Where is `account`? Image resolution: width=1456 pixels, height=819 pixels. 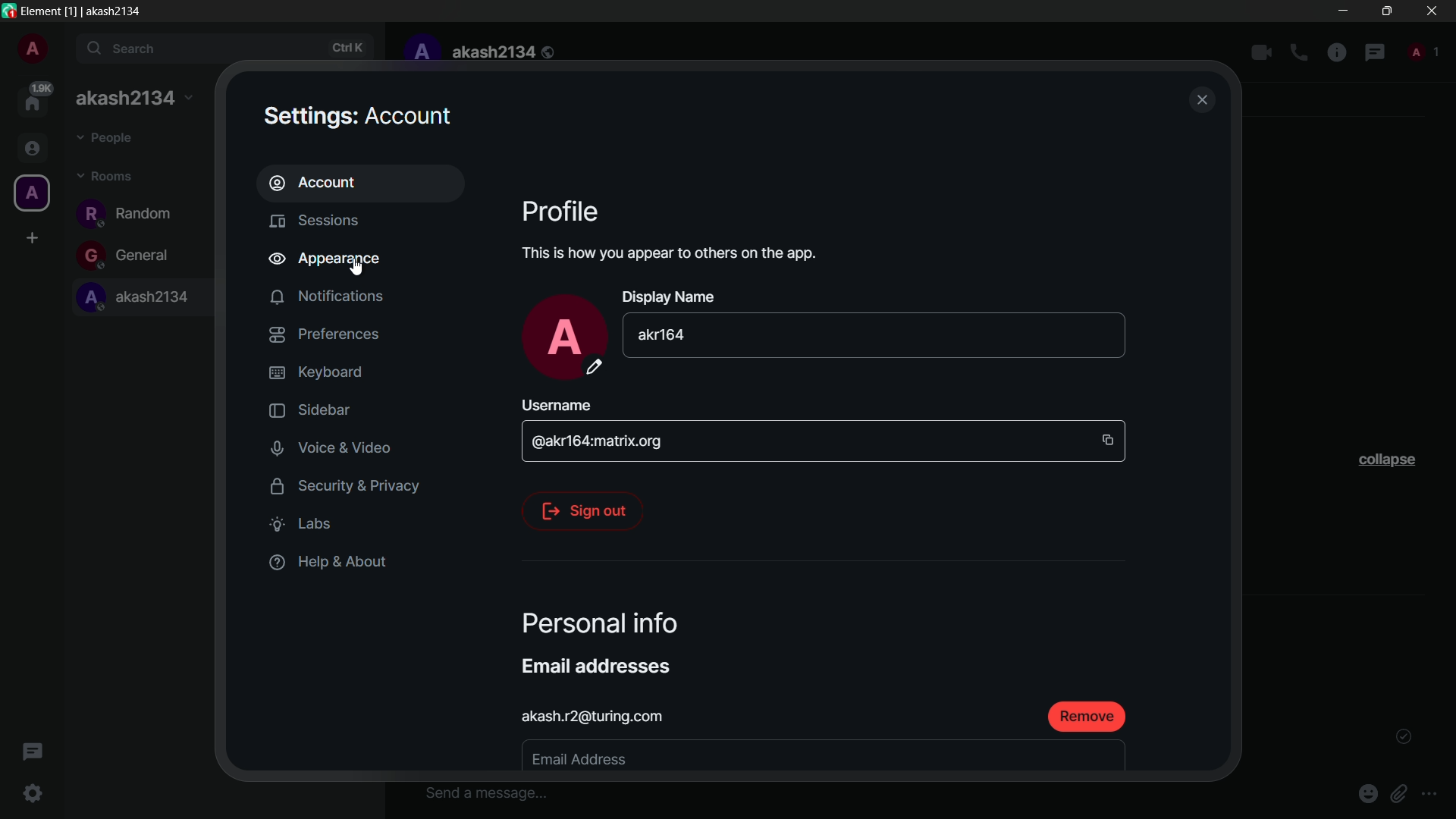 account is located at coordinates (363, 181).